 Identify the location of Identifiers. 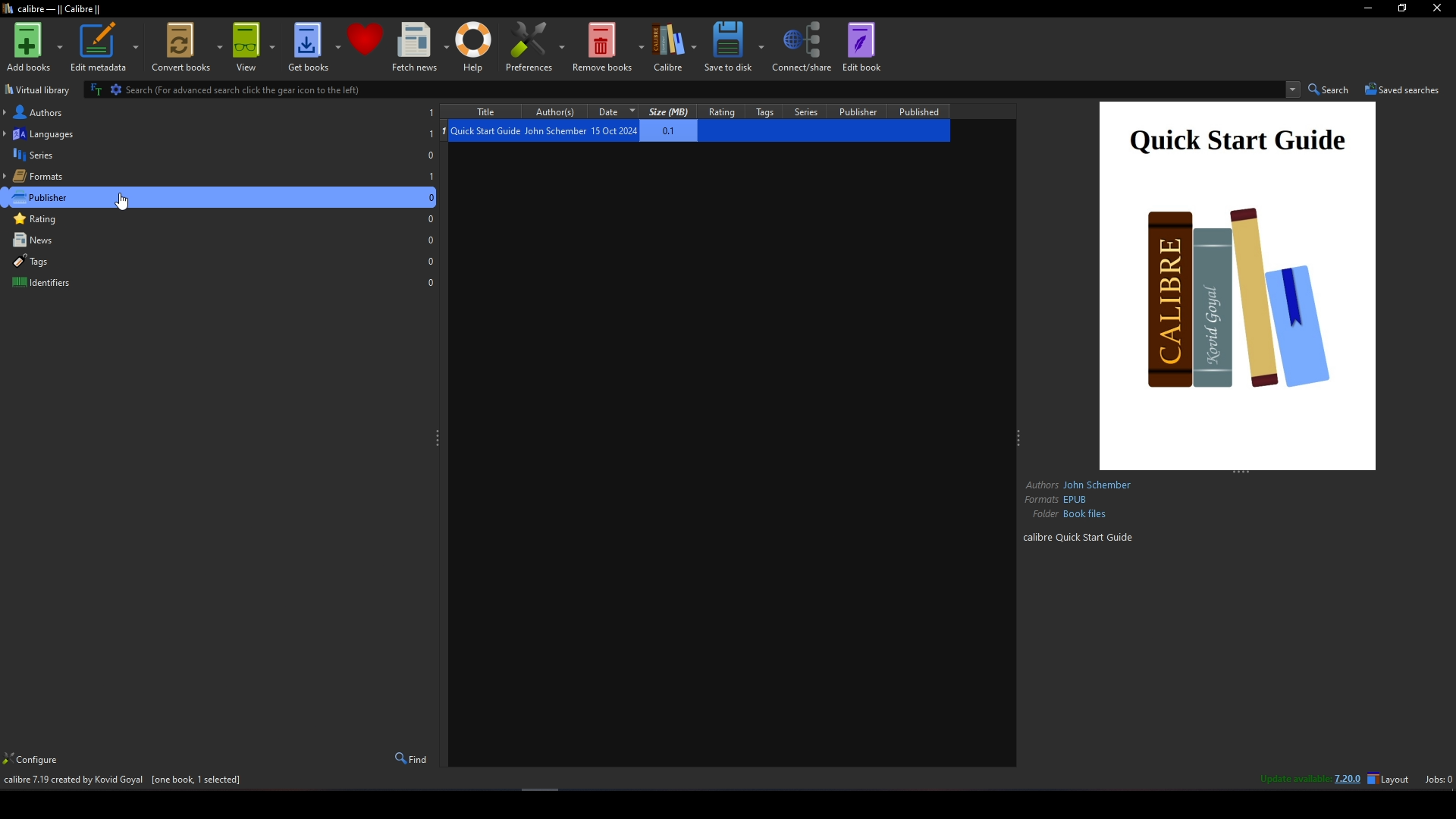
(221, 281).